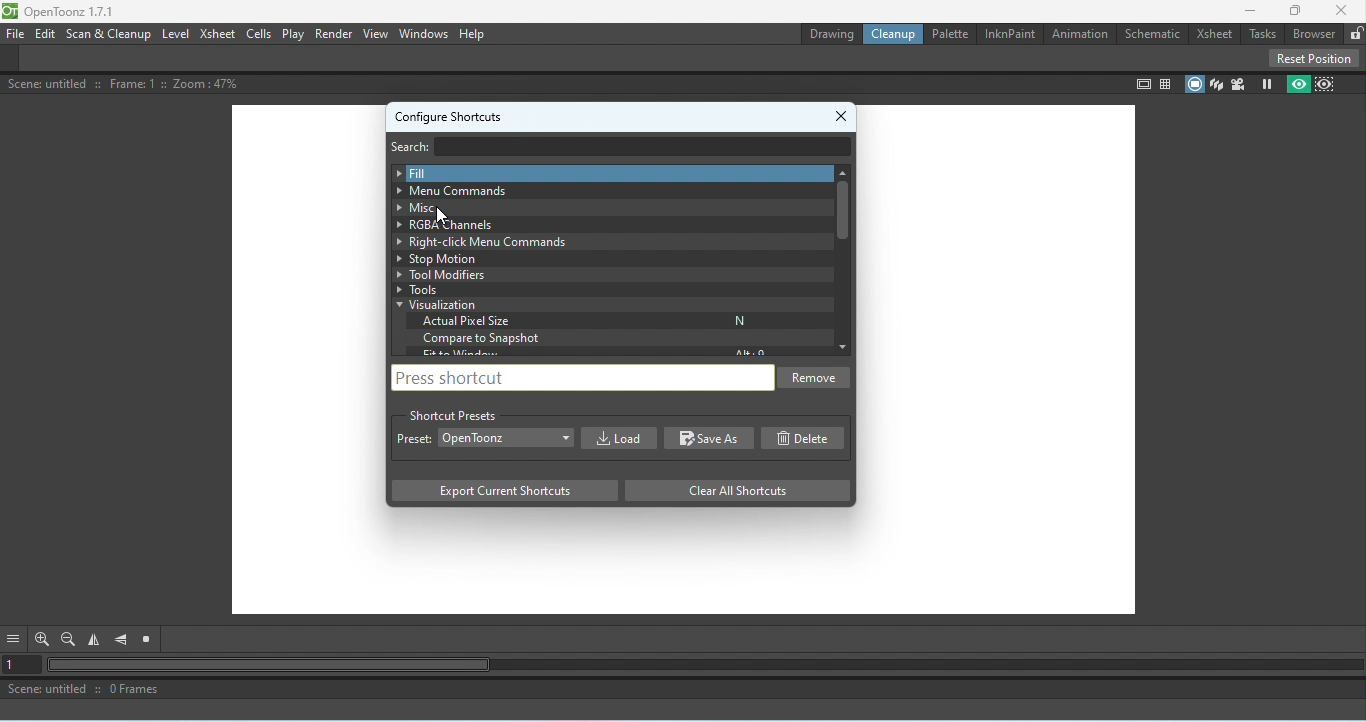 Image resolution: width=1366 pixels, height=722 pixels. Describe the element at coordinates (1342, 10) in the screenshot. I see `Close` at that location.